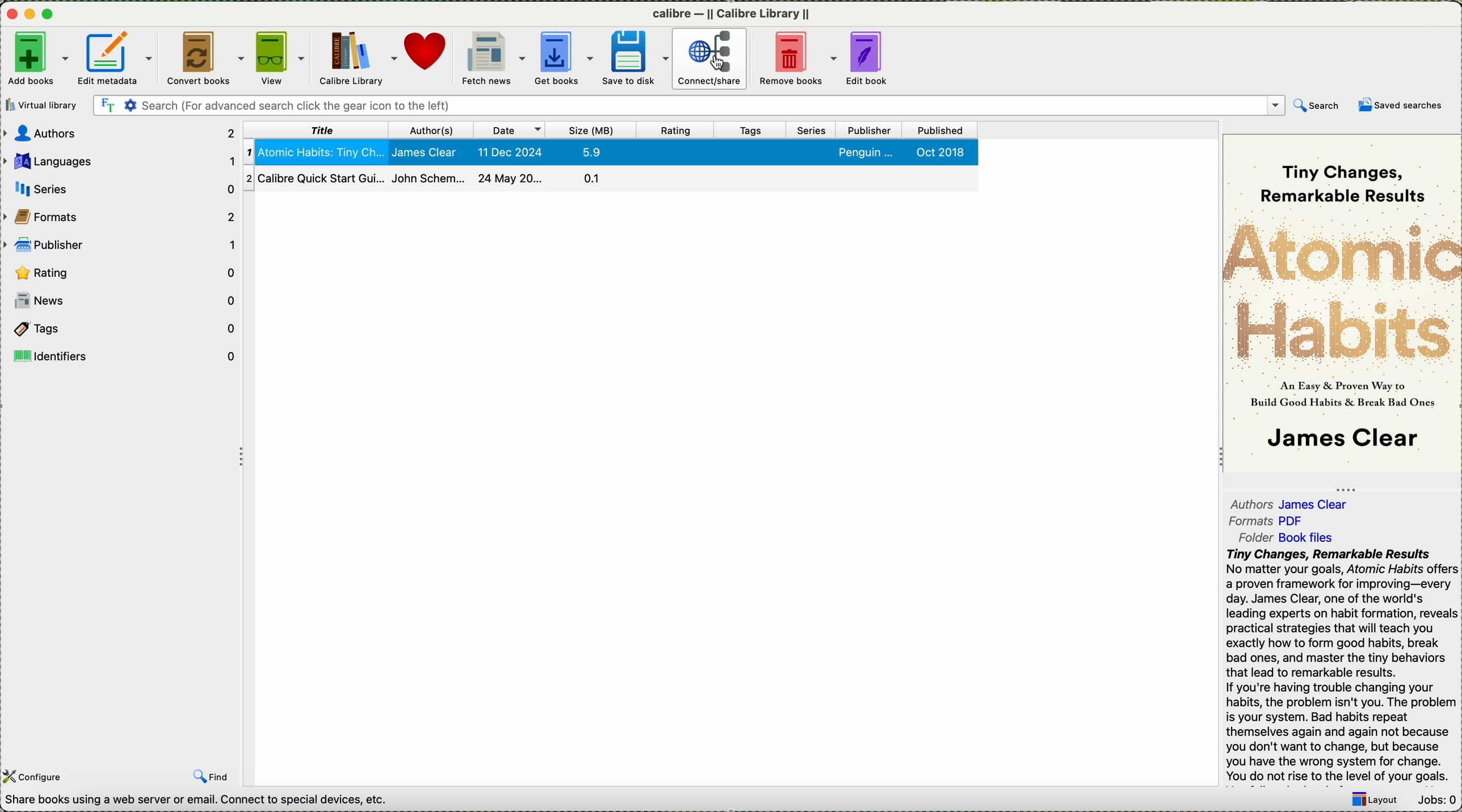 Image resolution: width=1462 pixels, height=812 pixels. What do you see at coordinates (117, 58) in the screenshot?
I see `edit metadata` at bounding box center [117, 58].